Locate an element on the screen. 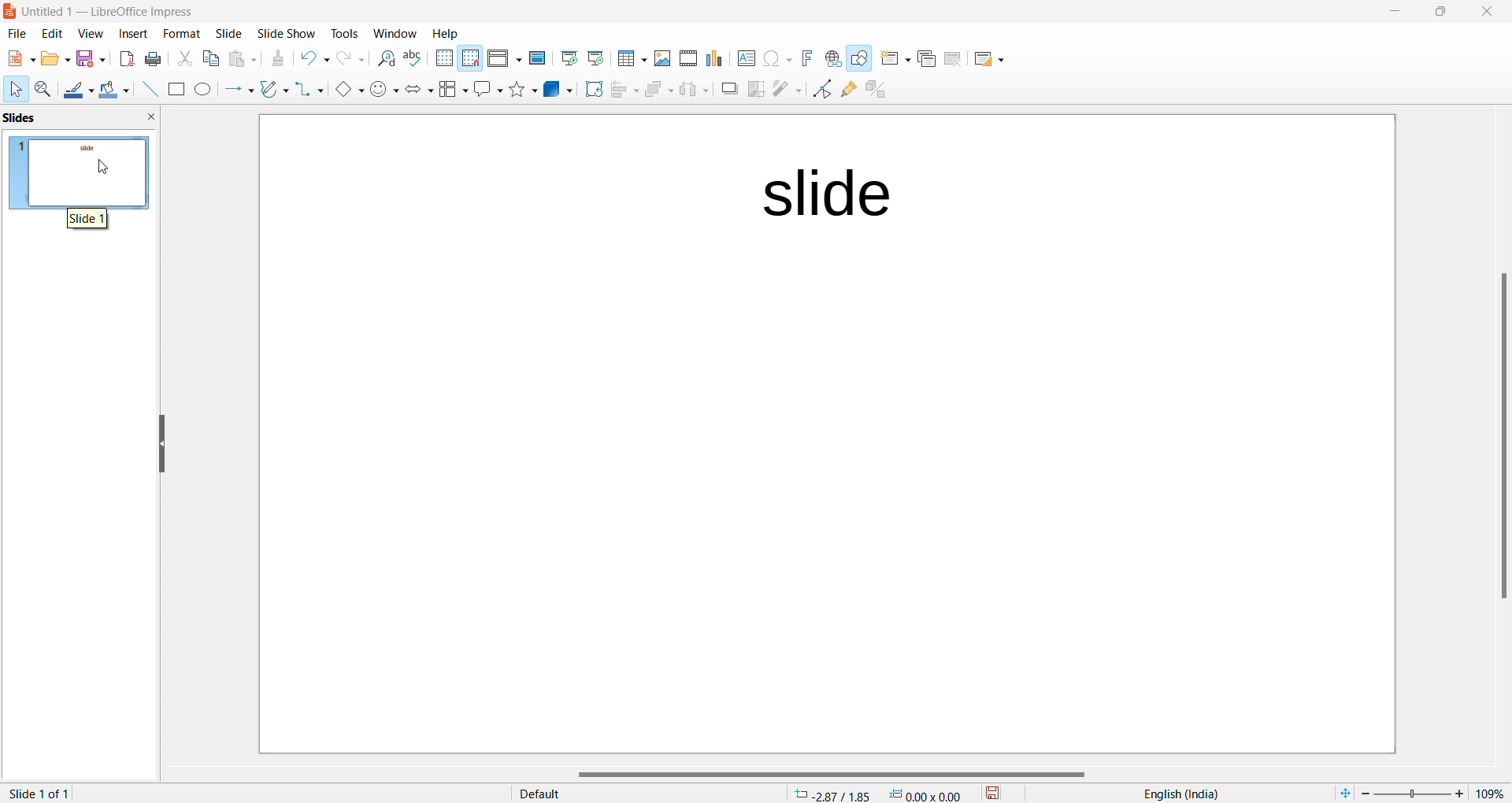 The height and width of the screenshot is (803, 1512). Slide is located at coordinates (229, 34).